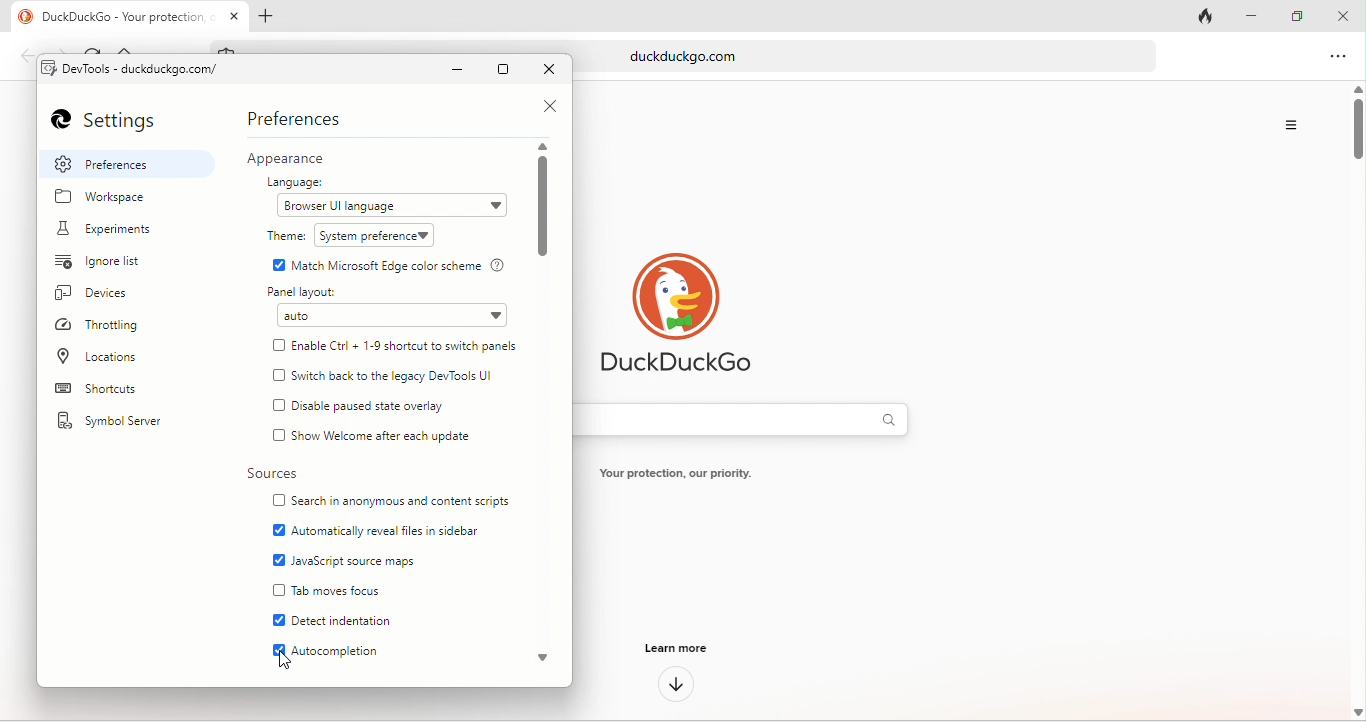 The width and height of the screenshot is (1366, 722). I want to click on search in anonymous and content scripts, so click(402, 500).